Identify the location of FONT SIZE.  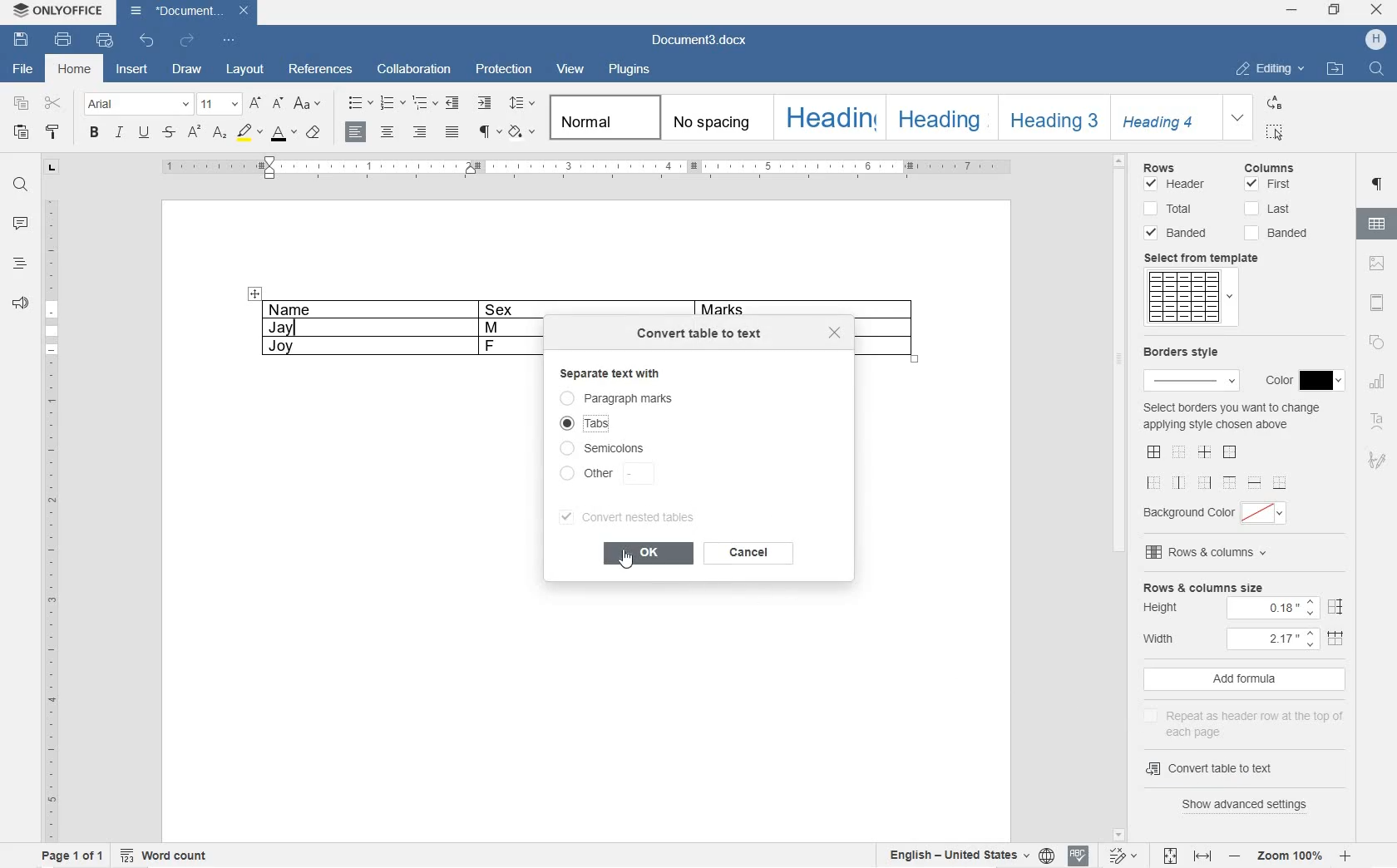
(220, 104).